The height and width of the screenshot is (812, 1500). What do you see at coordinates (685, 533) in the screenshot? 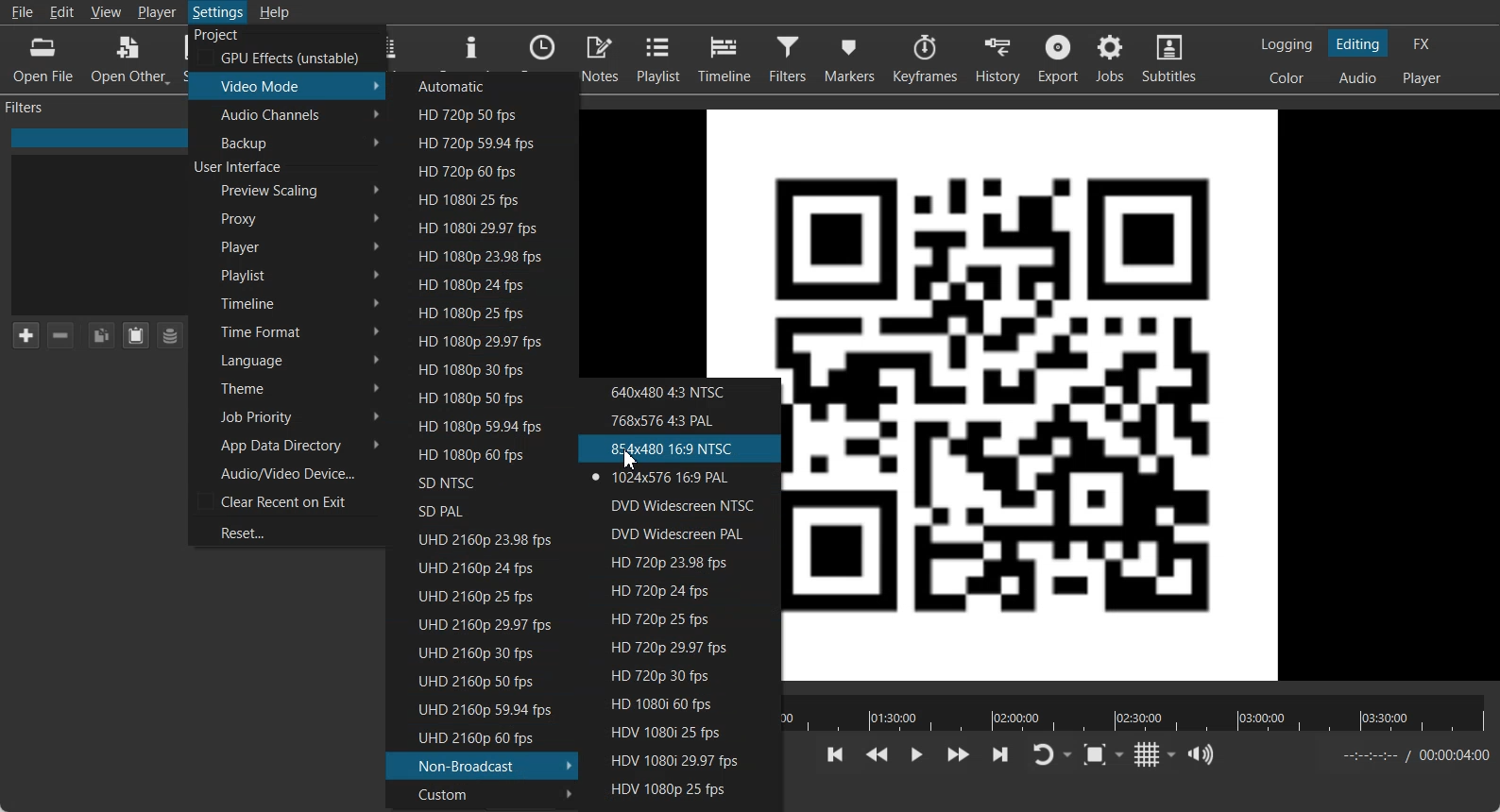
I see `DVD Widescreen PAL` at bounding box center [685, 533].